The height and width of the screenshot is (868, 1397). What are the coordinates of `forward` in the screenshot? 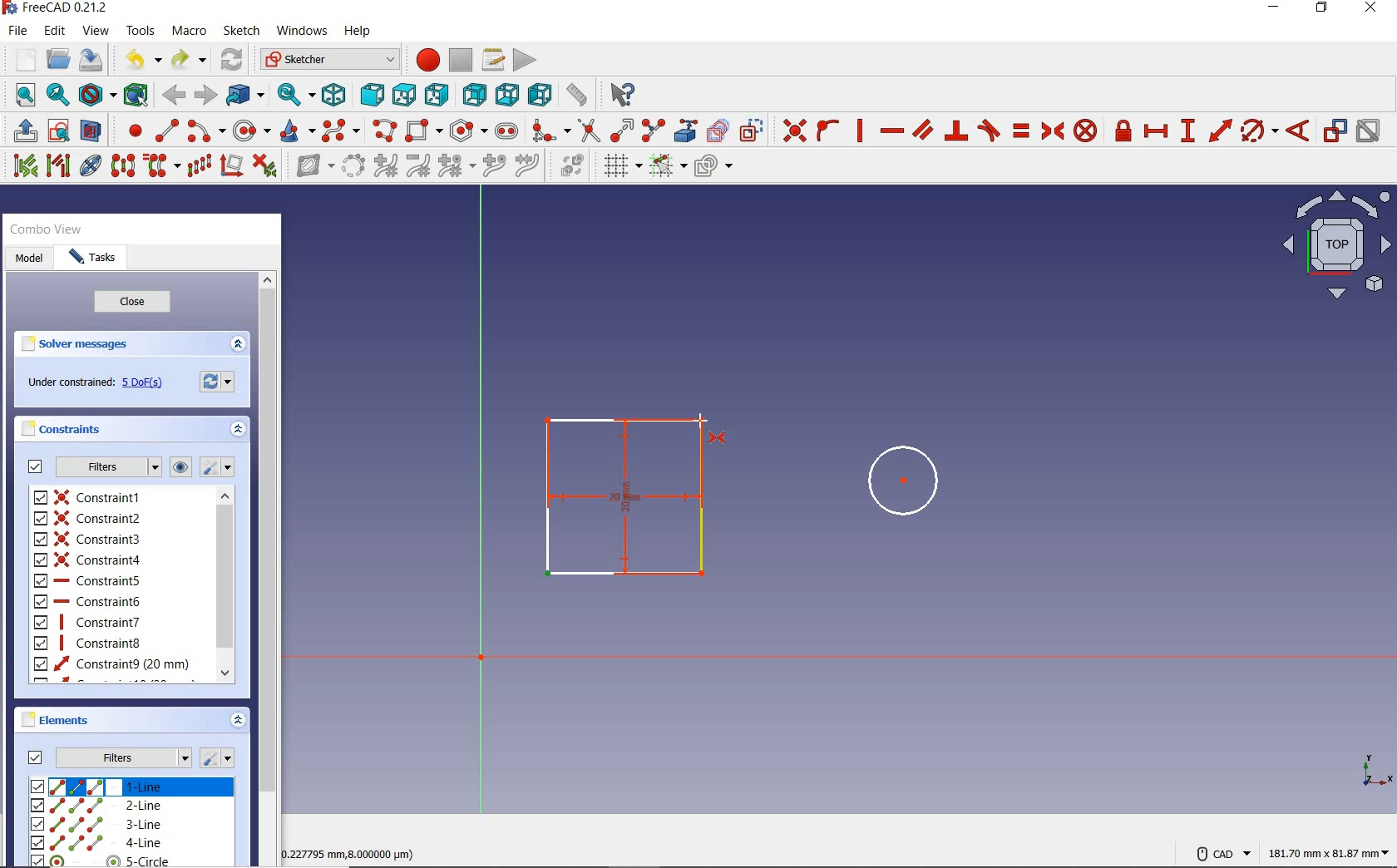 It's located at (207, 95).